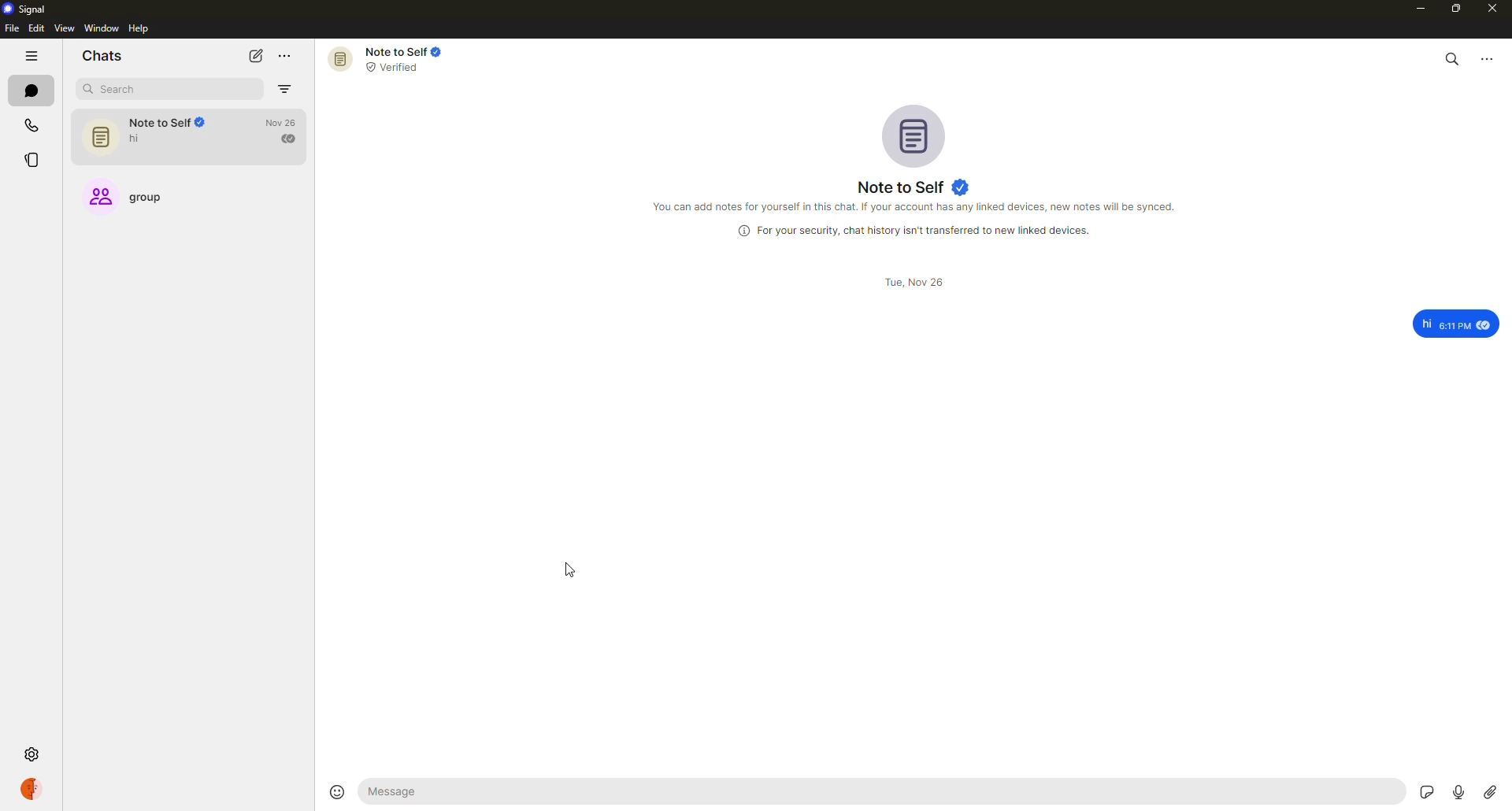 The height and width of the screenshot is (811, 1512). Describe the element at coordinates (570, 571) in the screenshot. I see `cursor` at that location.